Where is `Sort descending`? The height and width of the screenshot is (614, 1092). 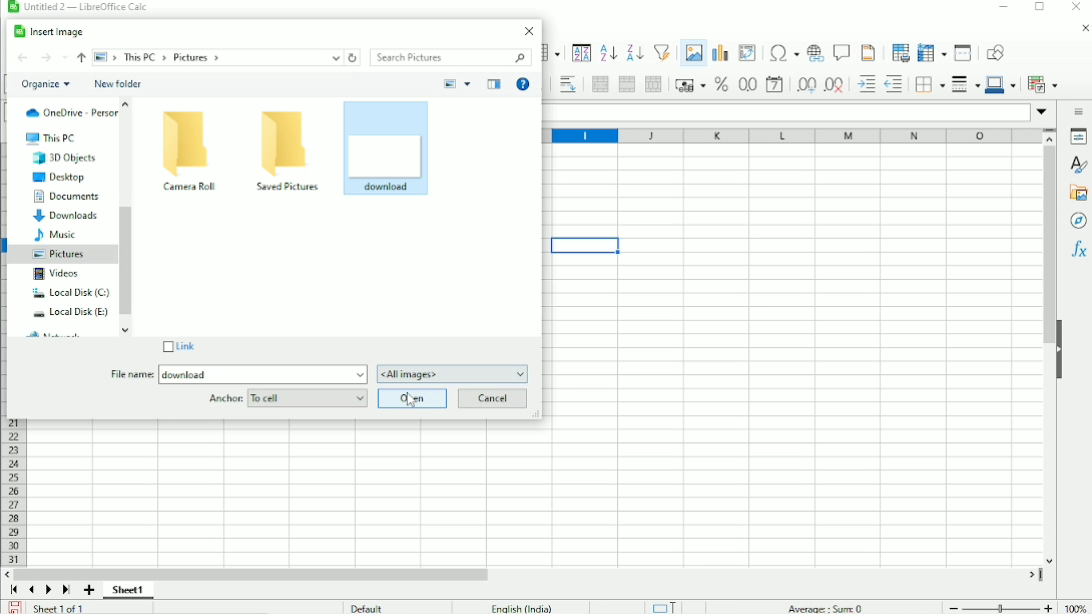
Sort descending is located at coordinates (633, 52).